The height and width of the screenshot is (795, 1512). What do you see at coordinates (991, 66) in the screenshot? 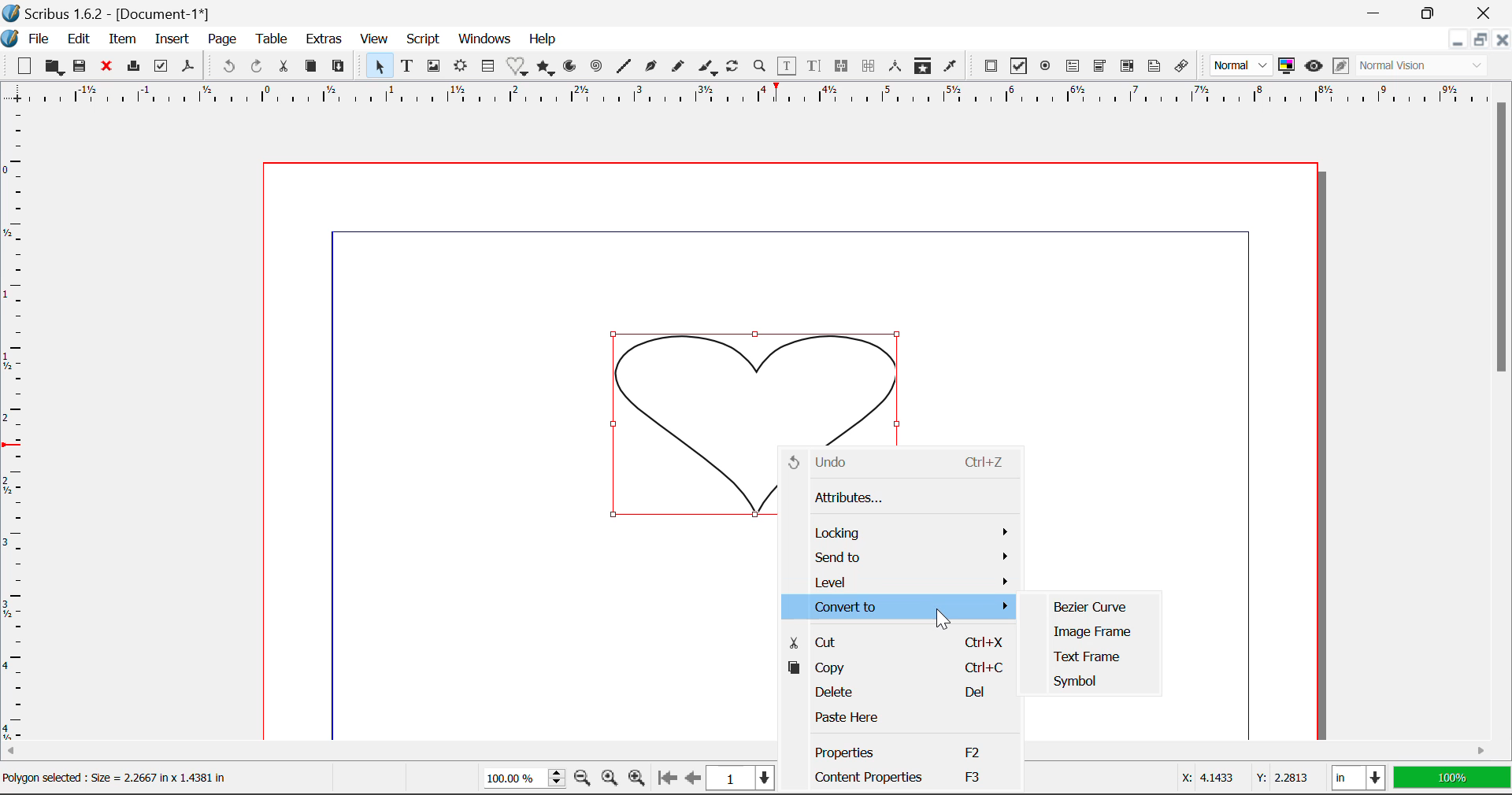
I see `Pdf Push Button` at bounding box center [991, 66].